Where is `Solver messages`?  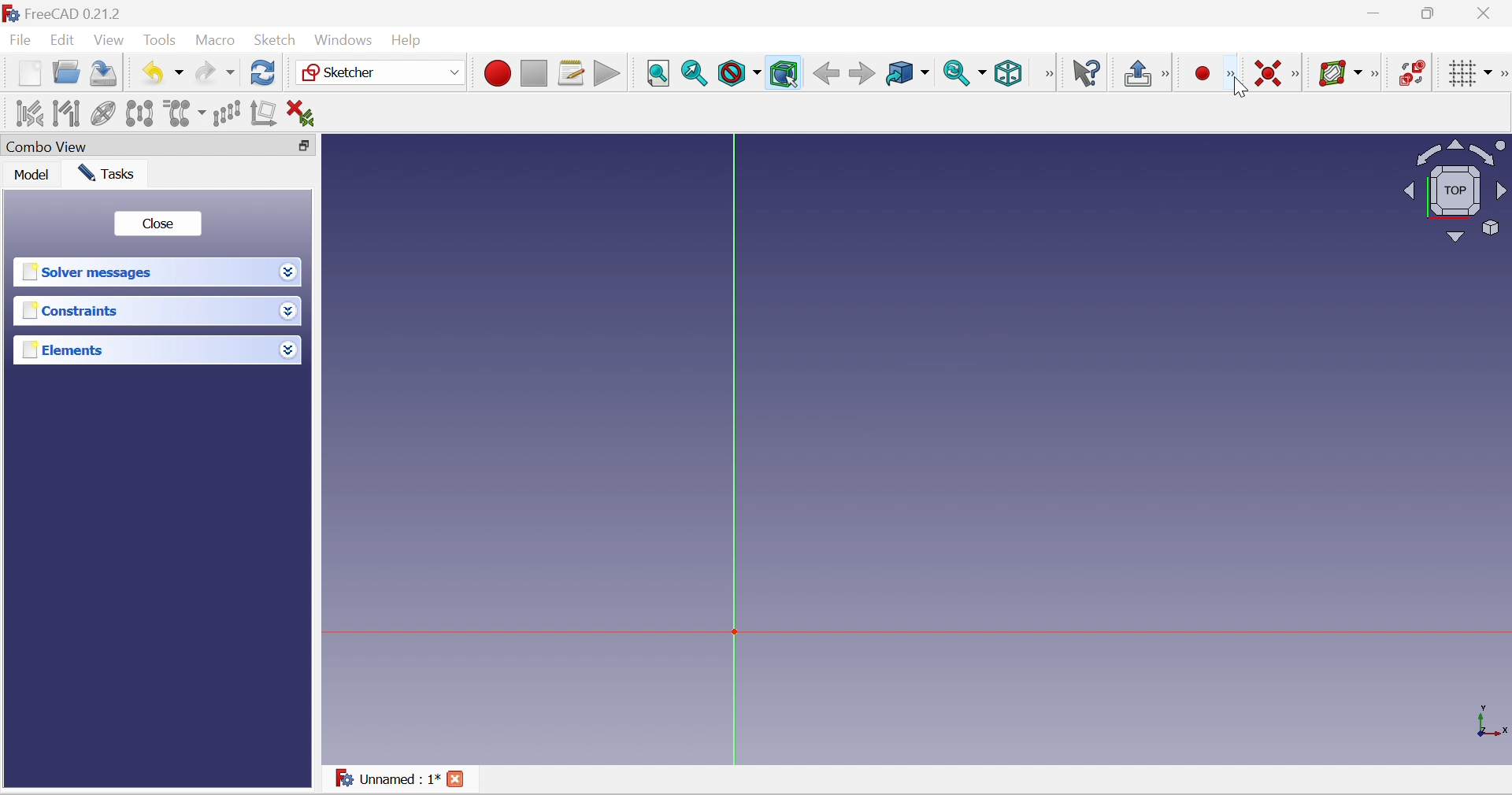
Solver messages is located at coordinates (143, 272).